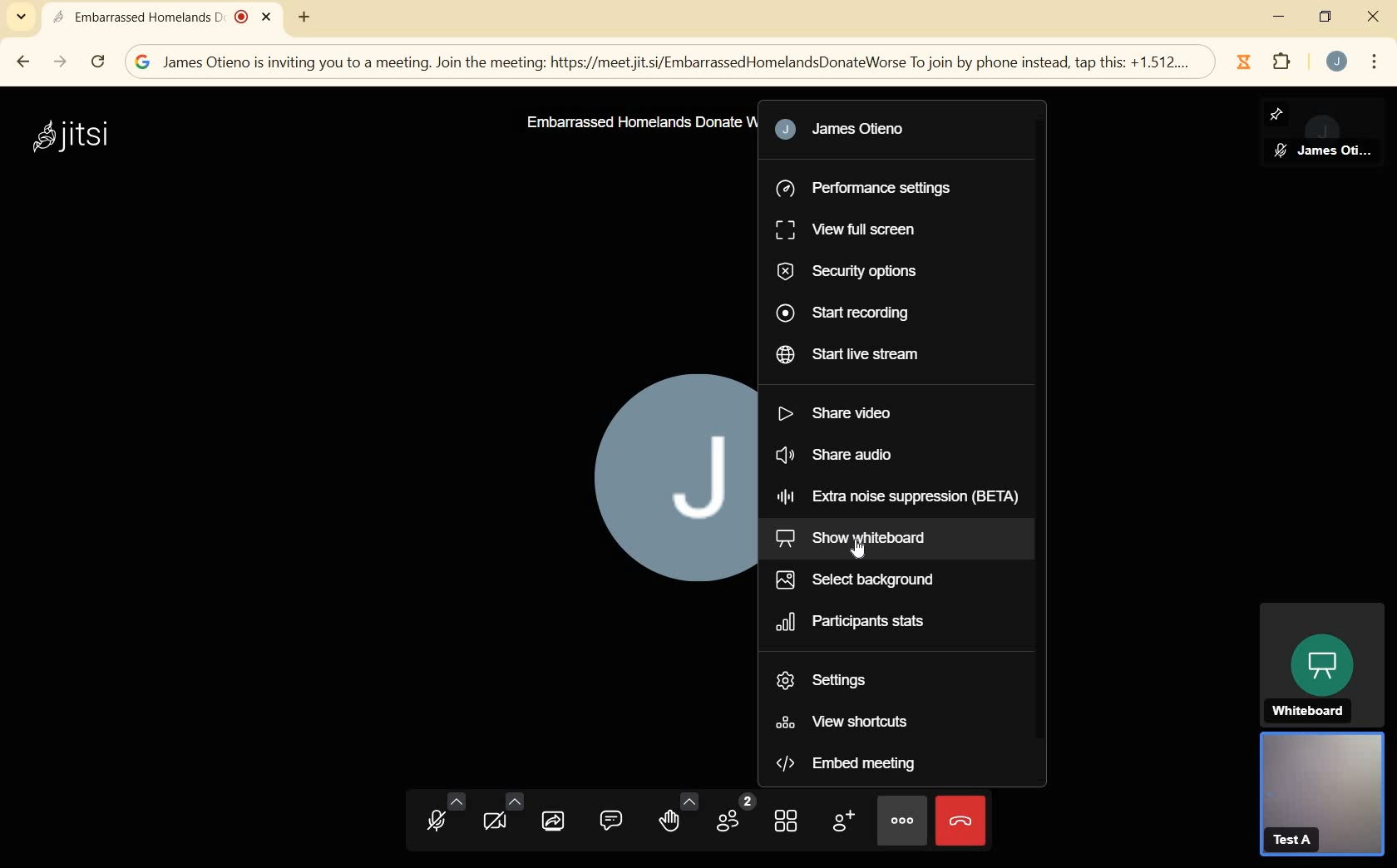  Describe the element at coordinates (882, 457) in the screenshot. I see `SHARE AUDIO` at that location.